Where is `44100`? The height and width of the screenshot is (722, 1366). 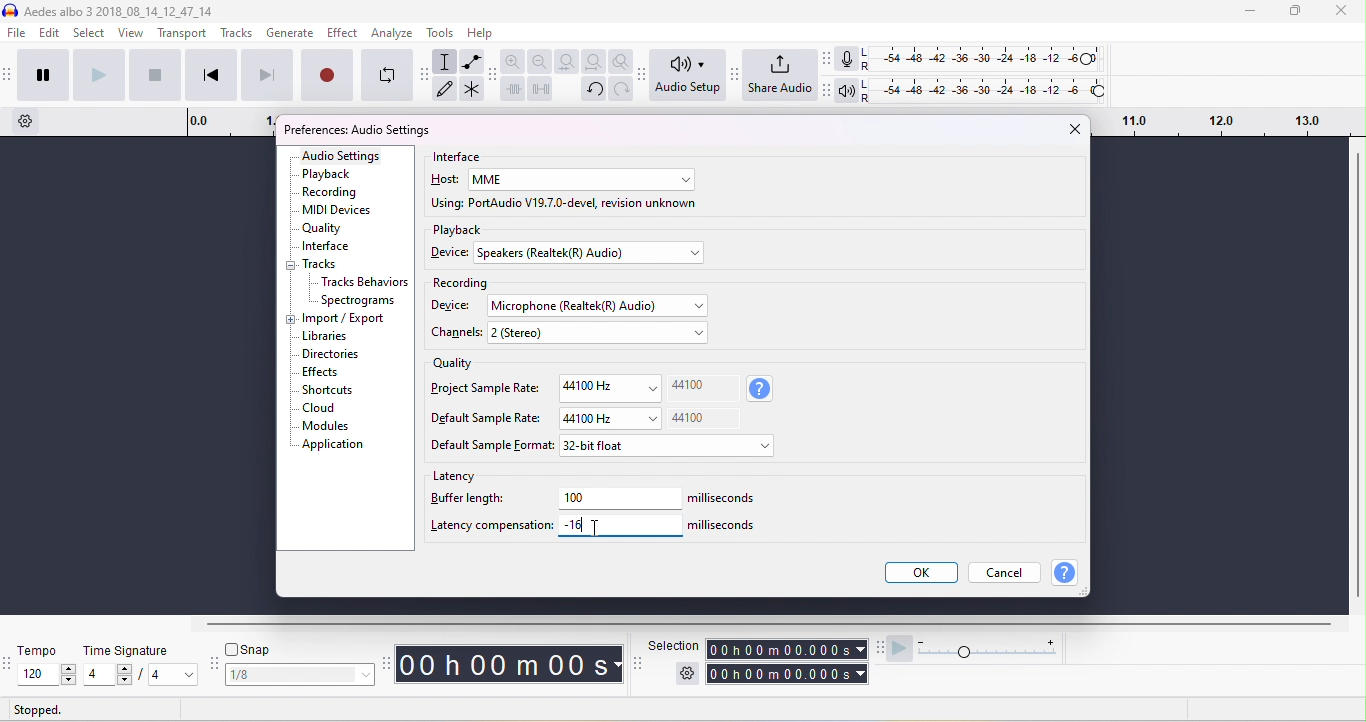
44100 is located at coordinates (689, 418).